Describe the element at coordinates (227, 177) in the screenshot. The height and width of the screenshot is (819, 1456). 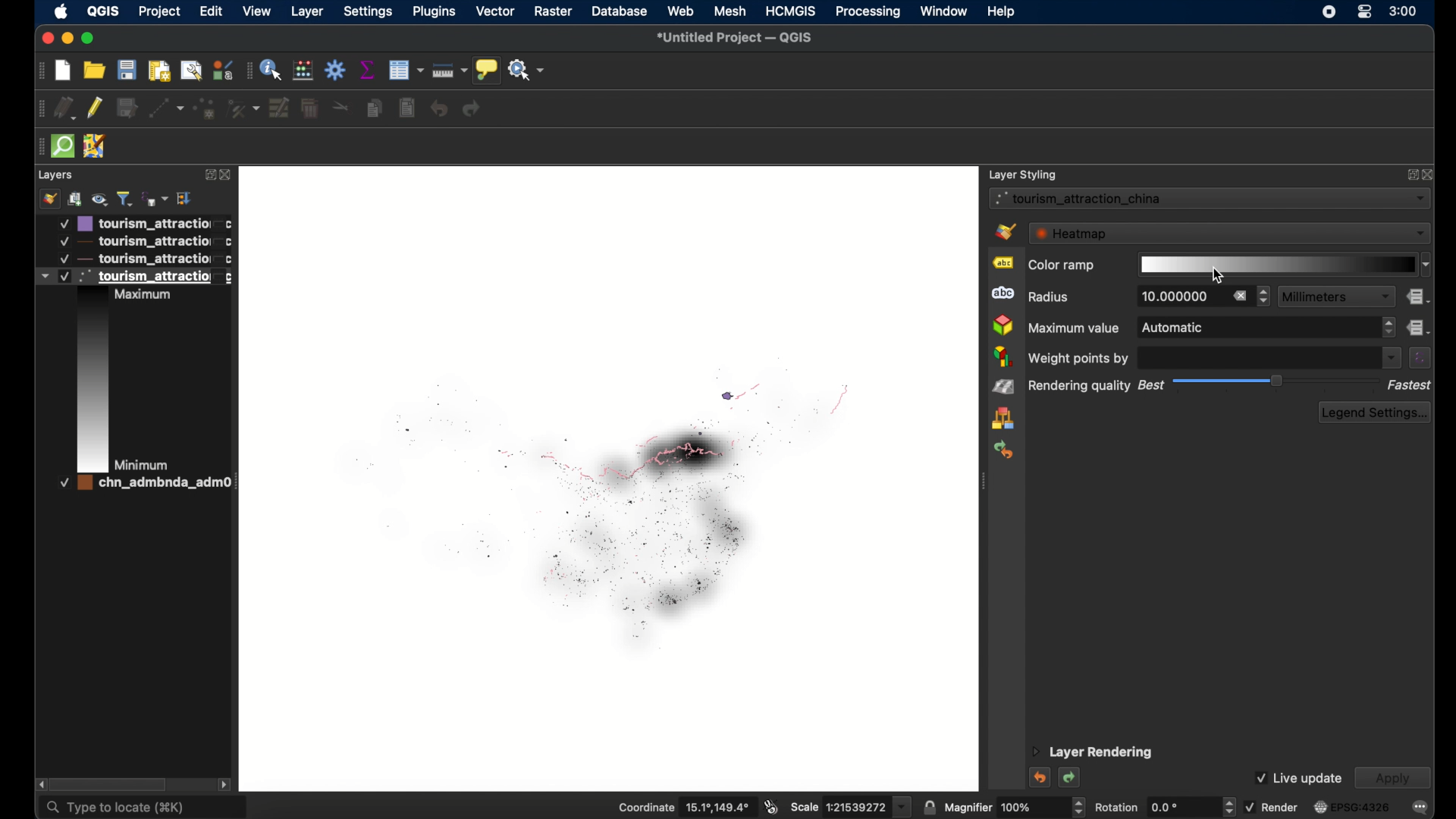
I see `close` at that location.